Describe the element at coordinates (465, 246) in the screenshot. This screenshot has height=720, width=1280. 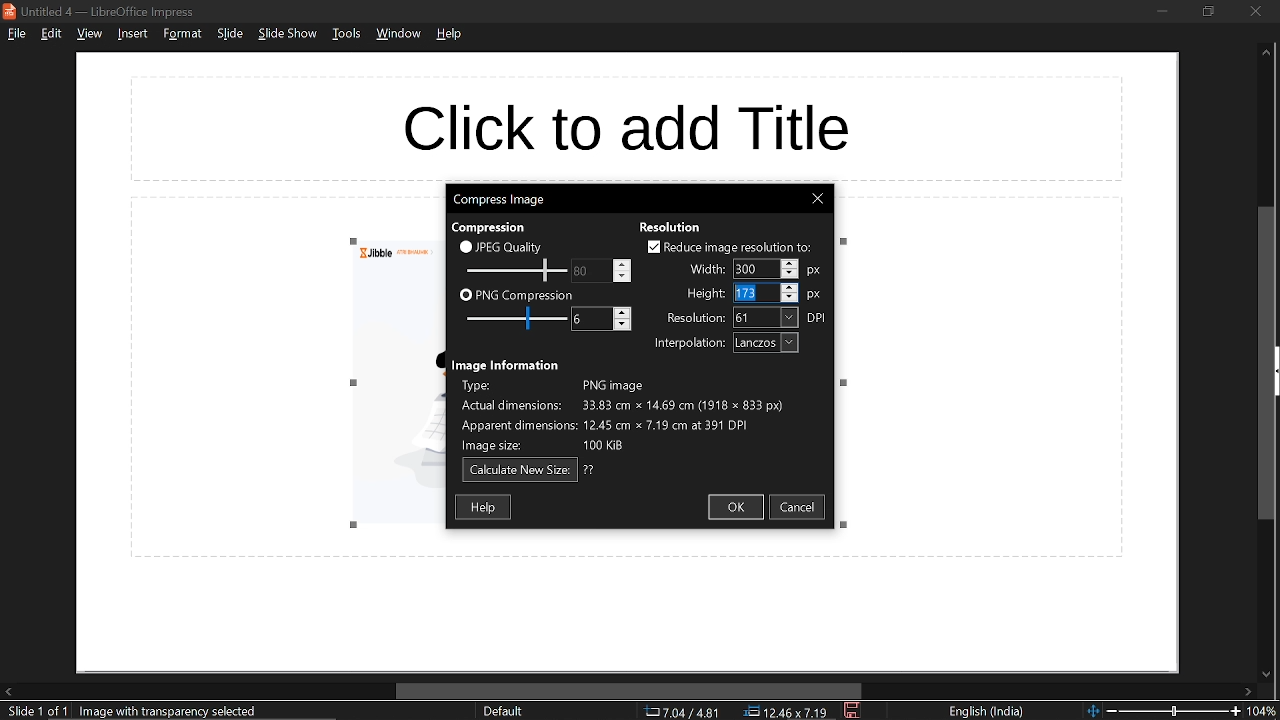
I see `checkbox` at that location.